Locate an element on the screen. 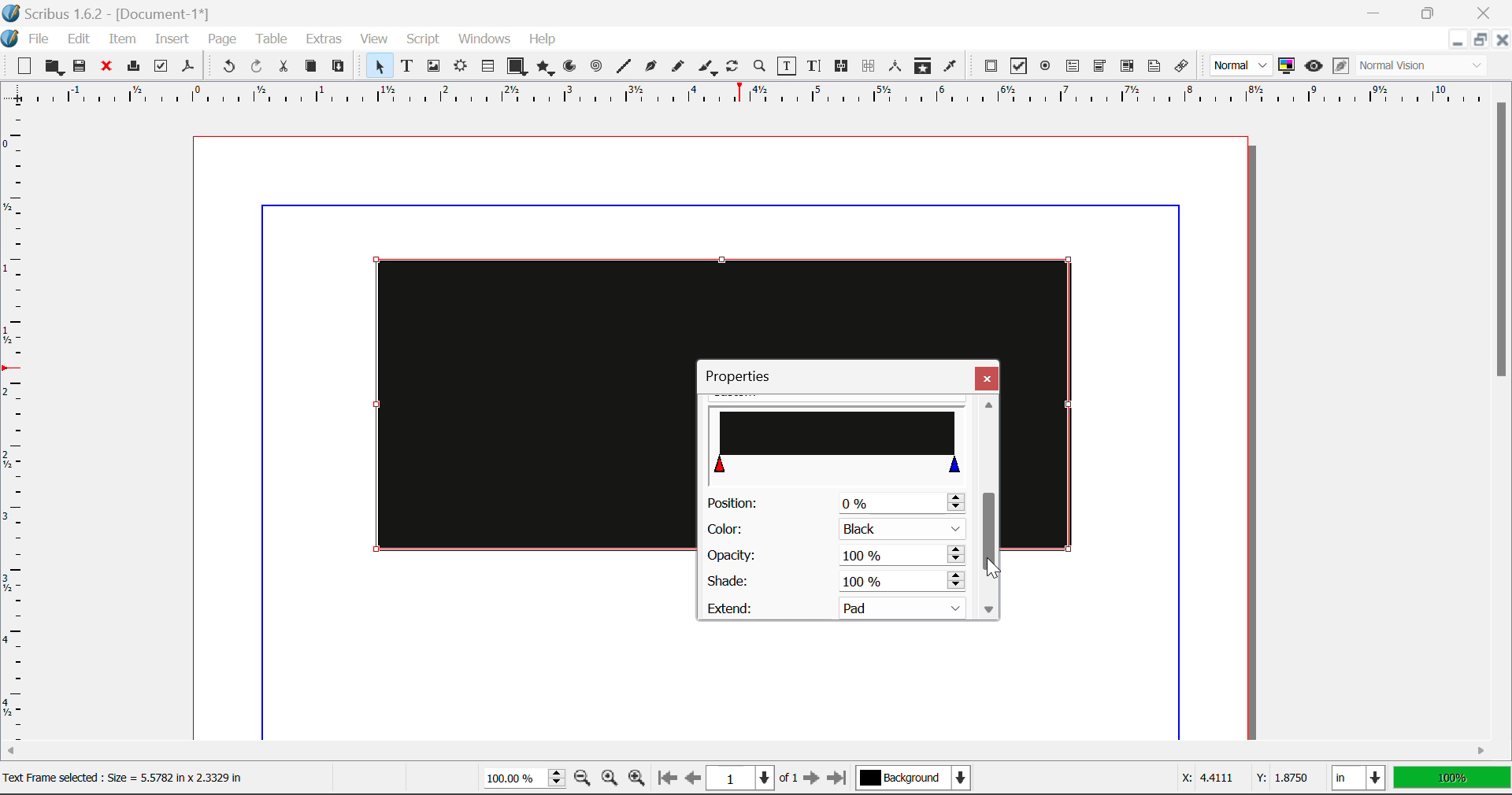 The image size is (1512, 795). Color is located at coordinates (833, 530).